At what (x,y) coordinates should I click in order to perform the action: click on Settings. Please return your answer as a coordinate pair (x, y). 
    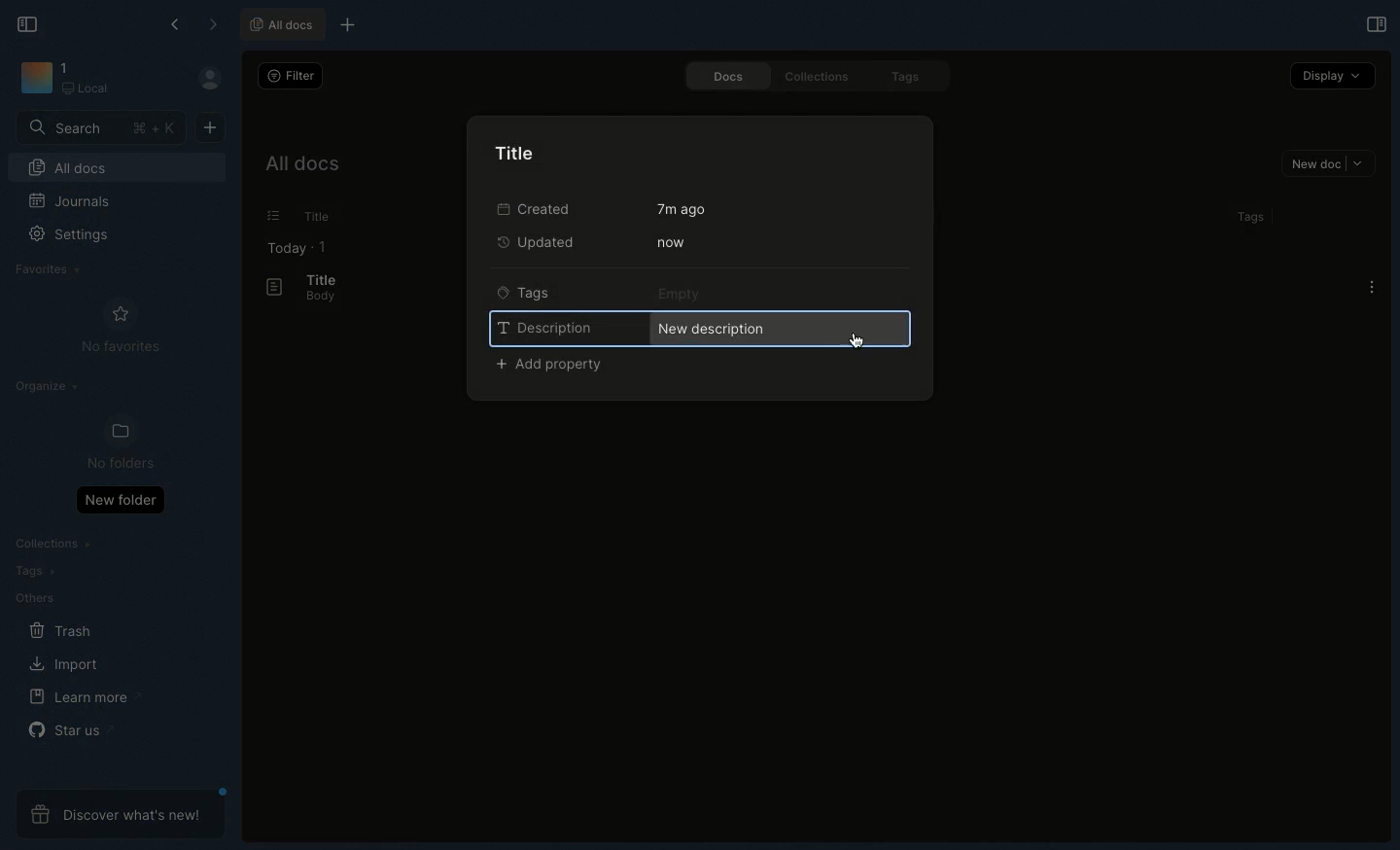
    Looking at the image, I should click on (80, 241).